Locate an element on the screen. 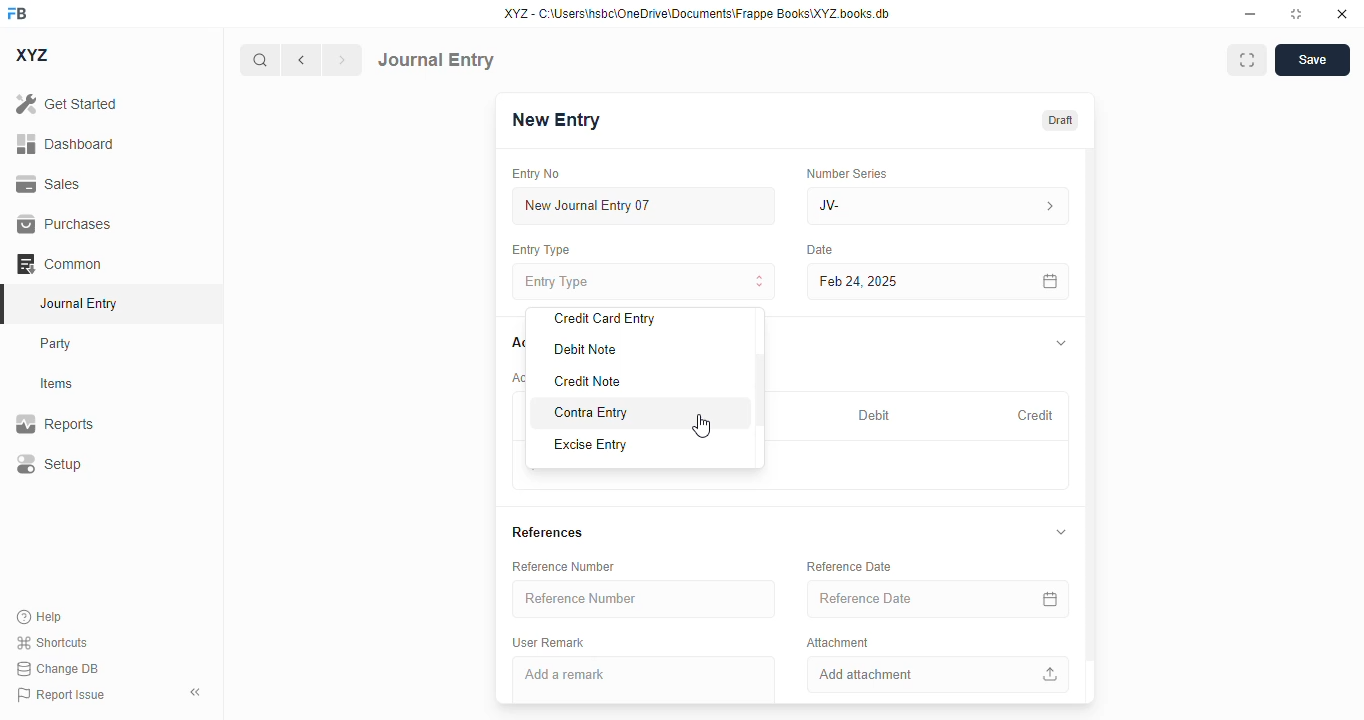  FB - logo is located at coordinates (17, 13).